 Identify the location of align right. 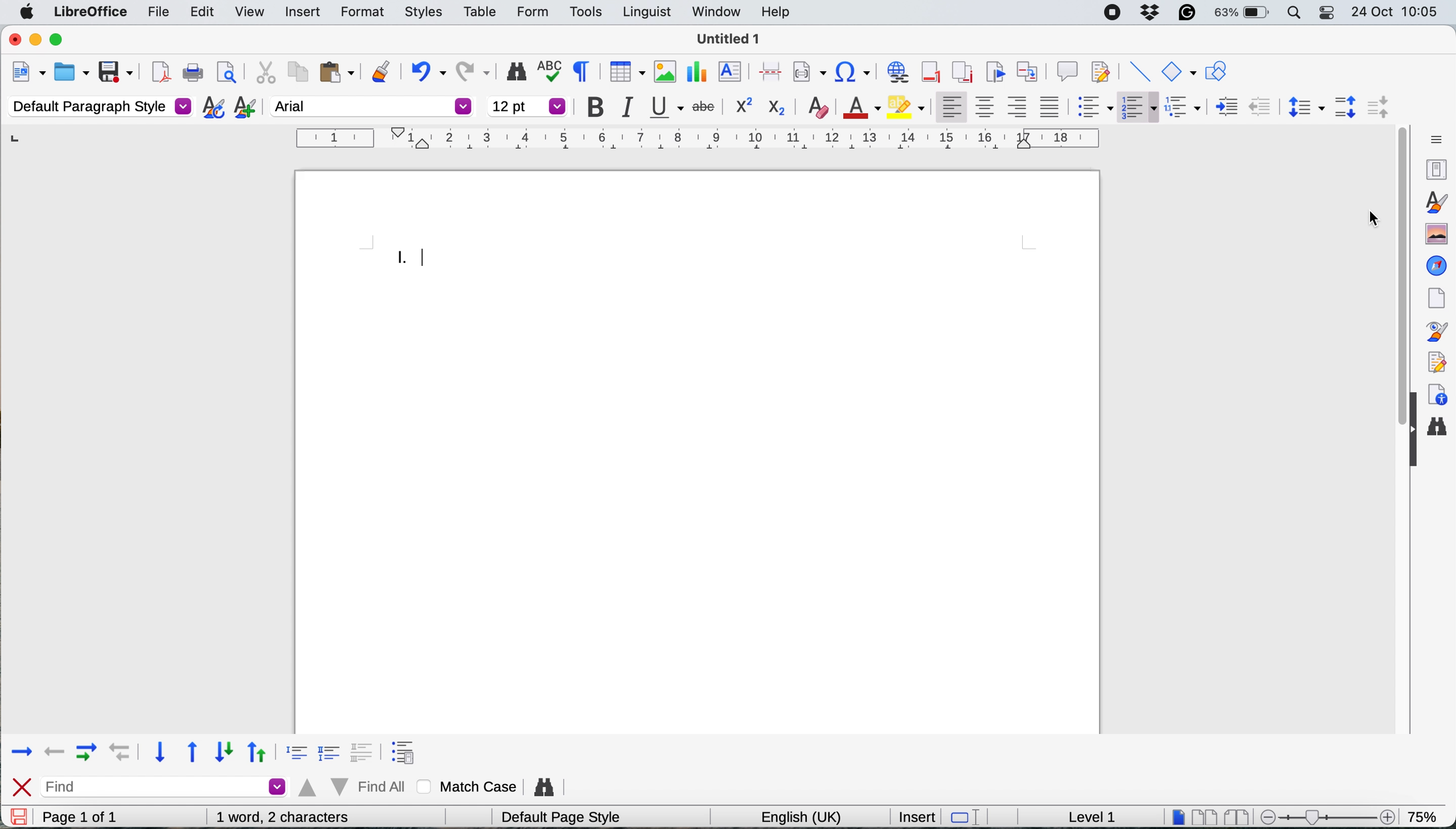
(1019, 107).